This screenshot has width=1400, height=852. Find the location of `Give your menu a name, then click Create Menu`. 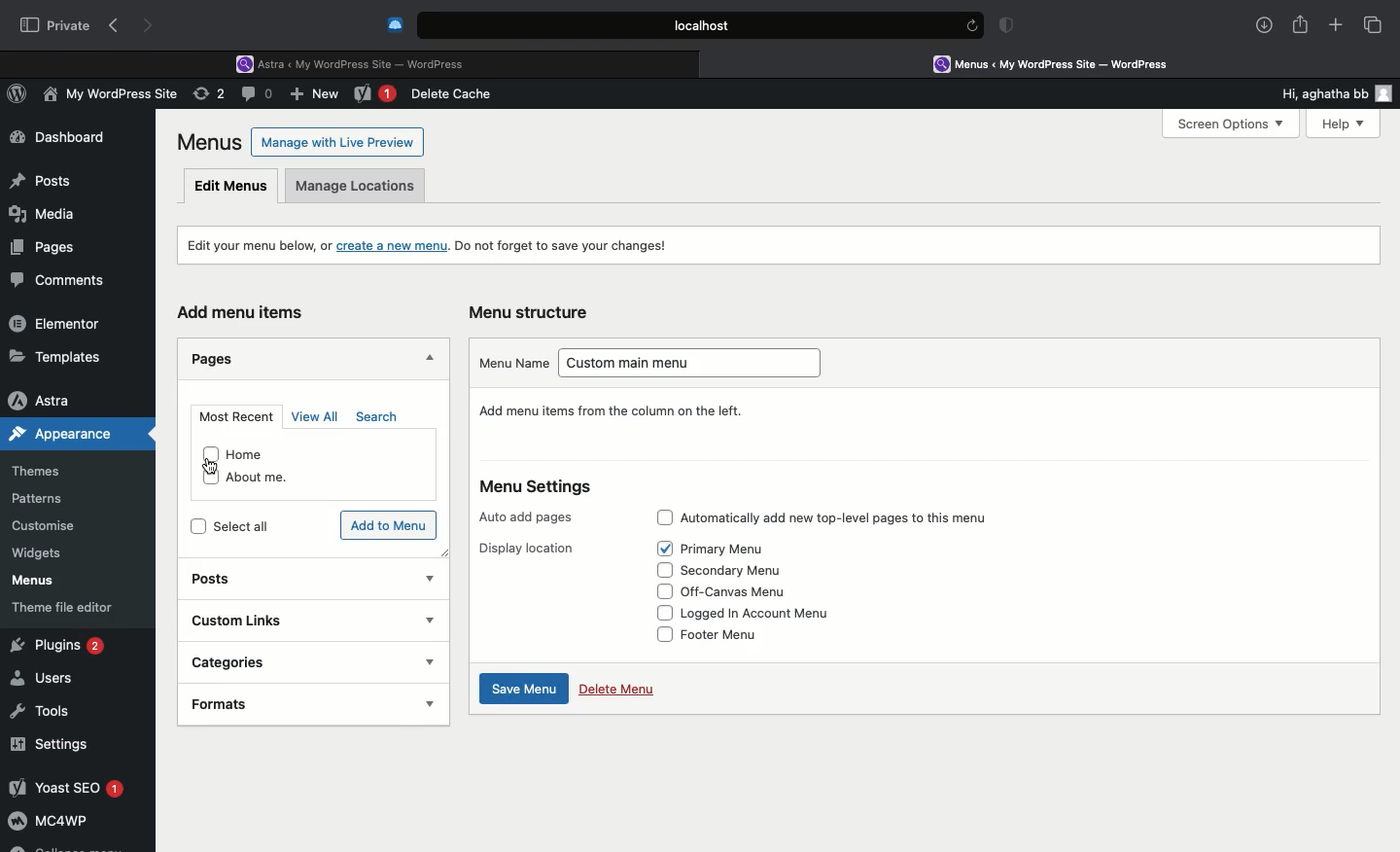

Give your menu a name, then click Create Menu is located at coordinates (629, 410).